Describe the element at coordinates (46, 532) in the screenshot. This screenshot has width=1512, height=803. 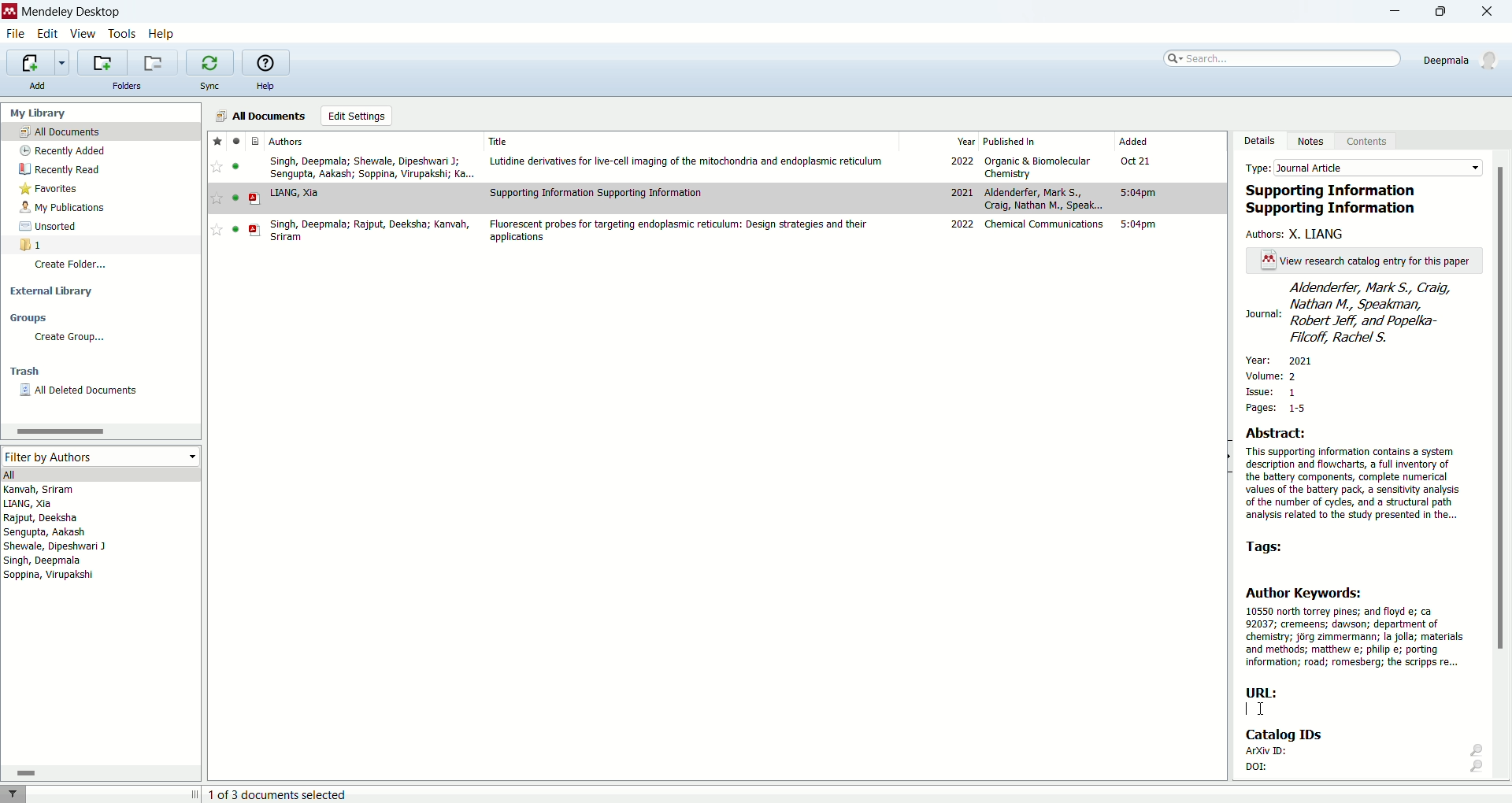
I see `sengupta, aakash` at that location.